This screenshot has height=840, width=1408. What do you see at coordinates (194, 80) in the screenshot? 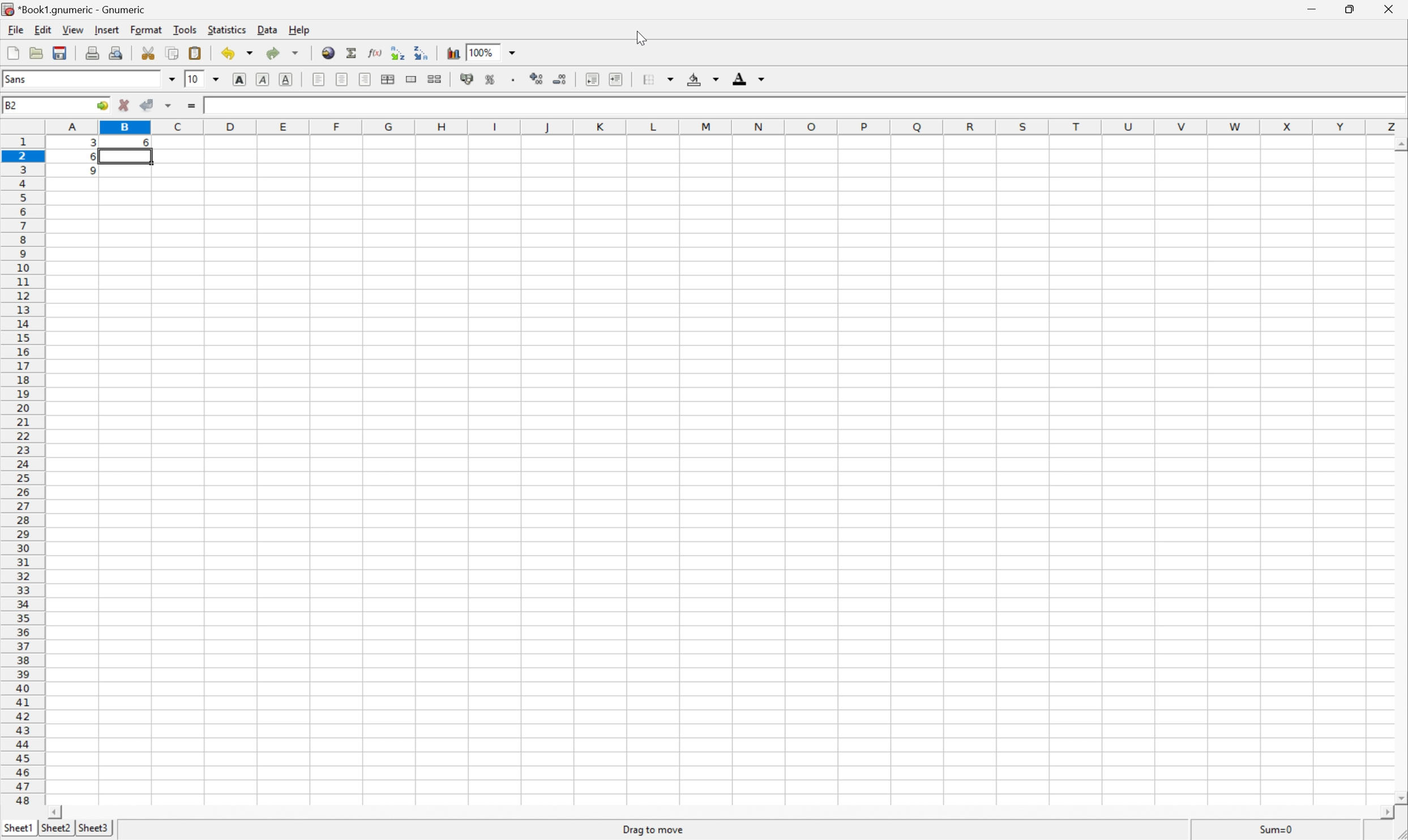
I see `10` at bounding box center [194, 80].